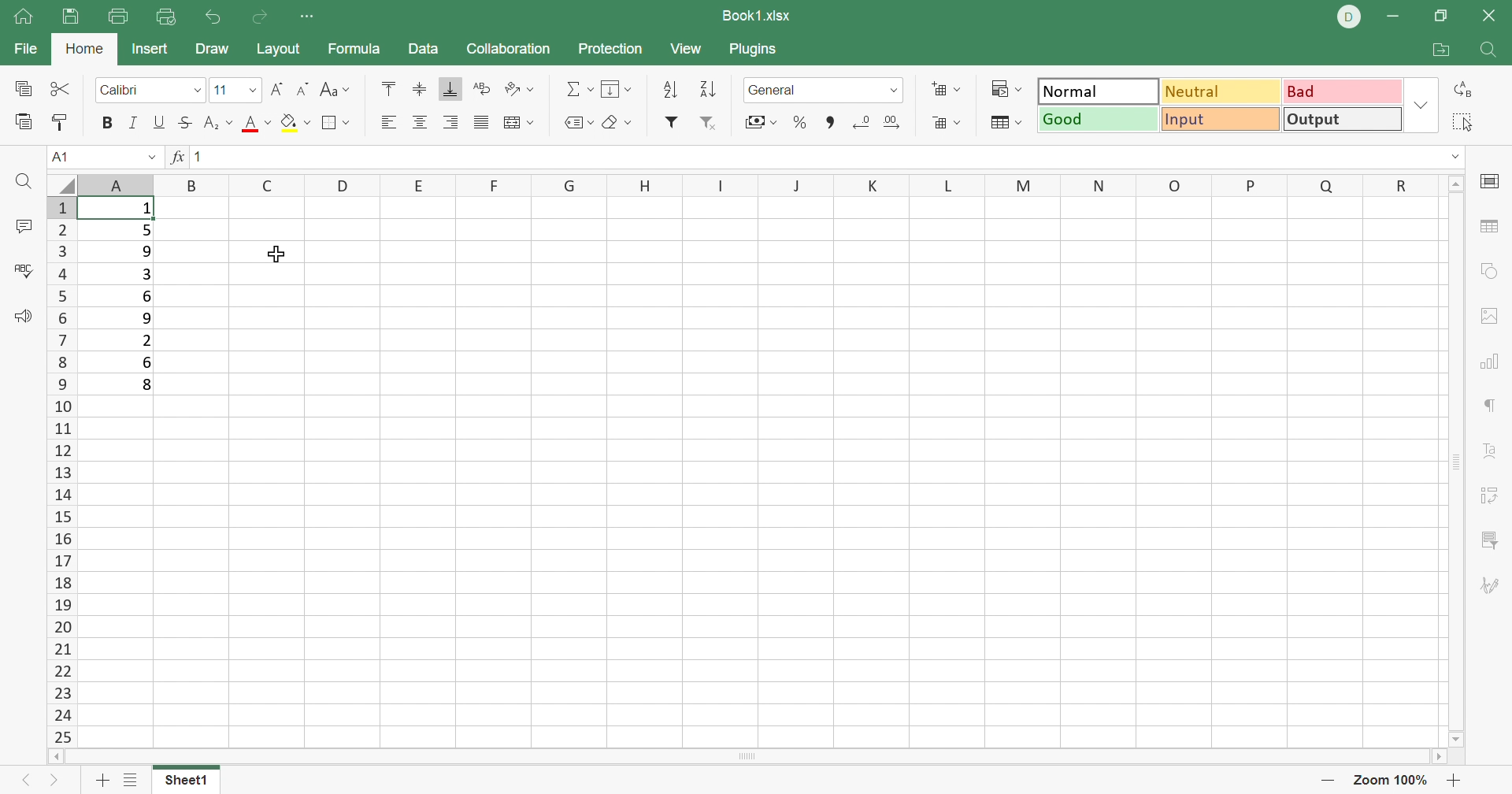  Describe the element at coordinates (305, 90) in the screenshot. I see `Decrement font size` at that location.